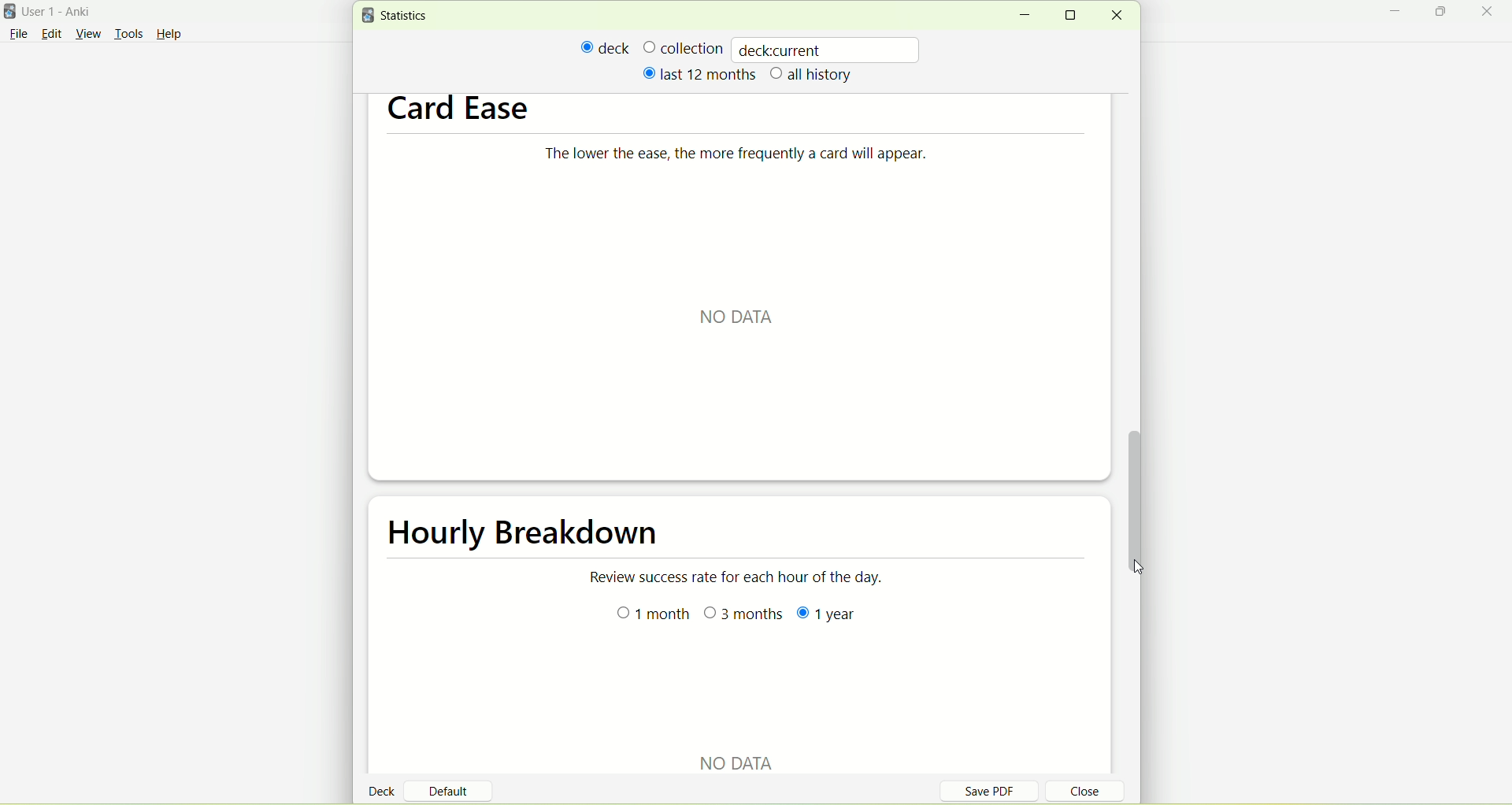  Describe the element at coordinates (606, 47) in the screenshot. I see `deck` at that location.